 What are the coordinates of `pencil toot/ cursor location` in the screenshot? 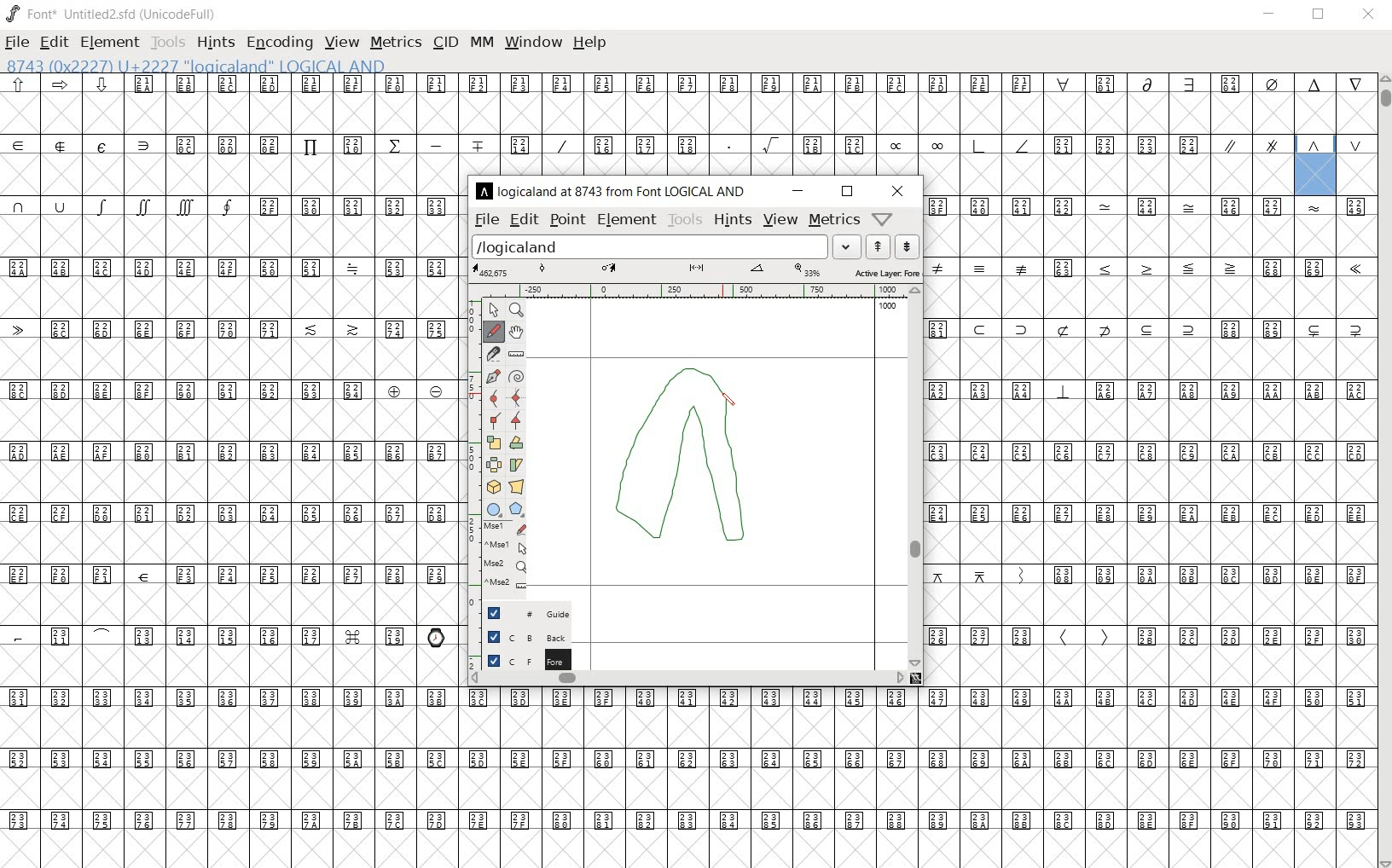 It's located at (732, 402).